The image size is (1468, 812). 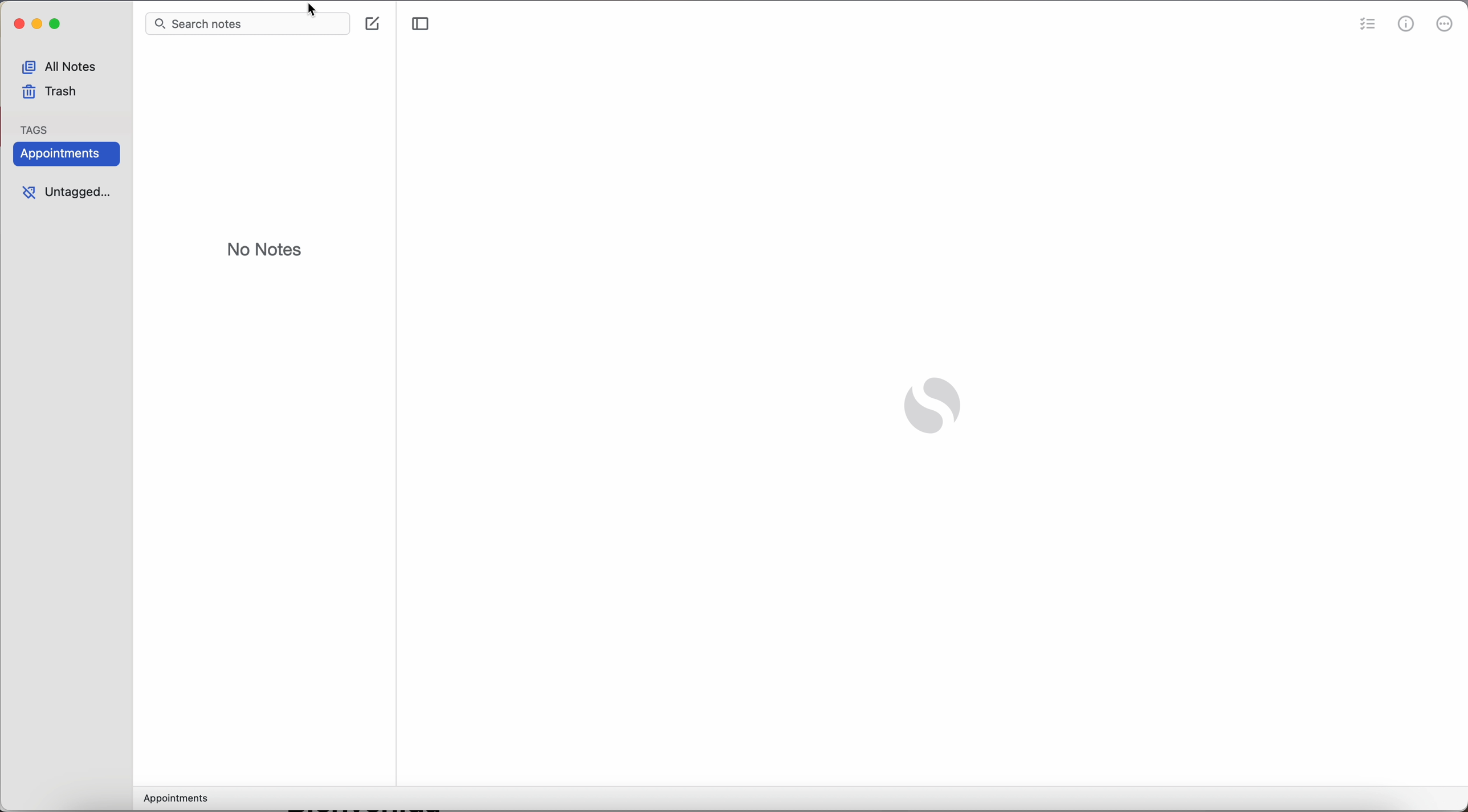 What do you see at coordinates (36, 126) in the screenshot?
I see `tag` at bounding box center [36, 126].